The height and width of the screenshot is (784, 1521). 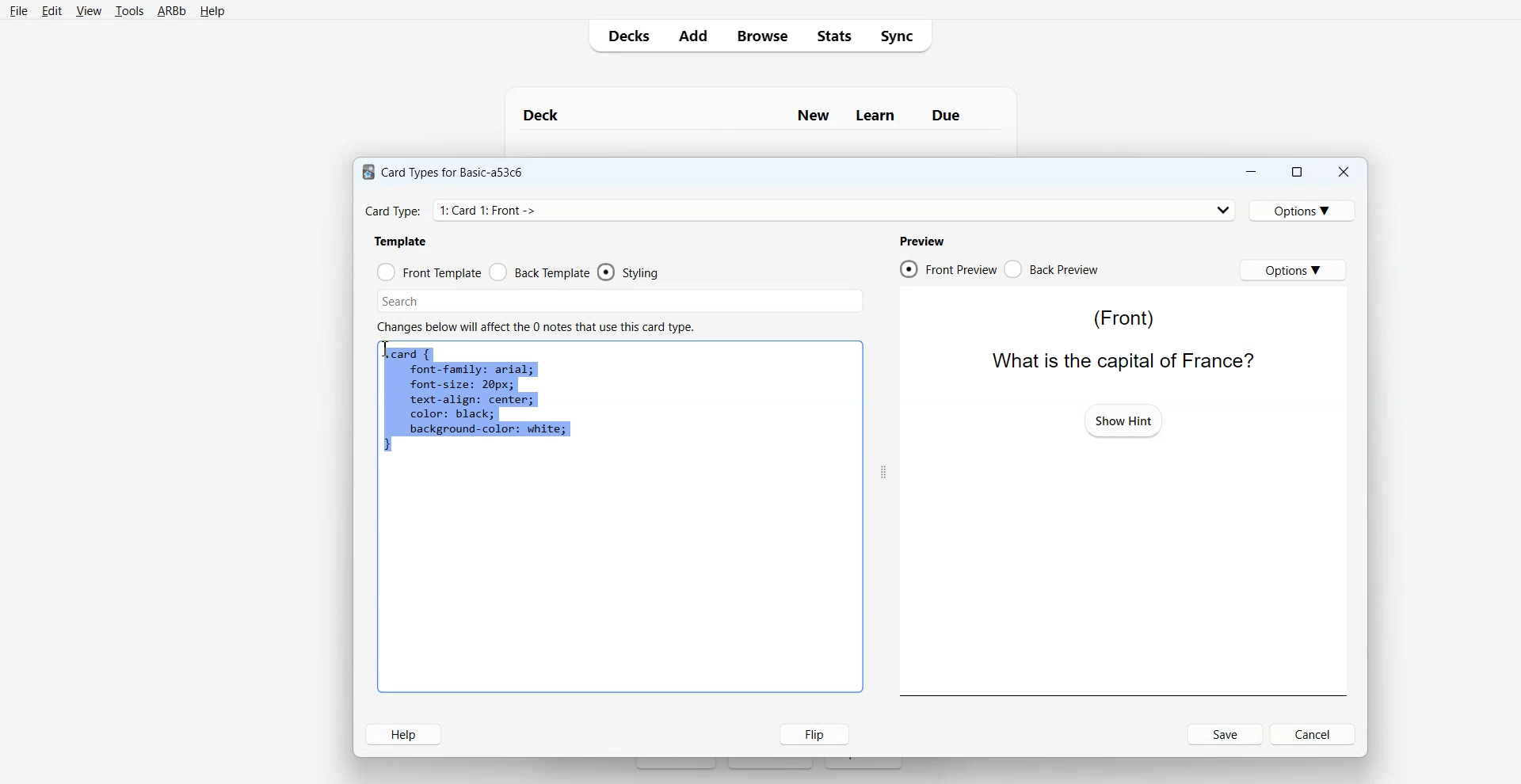 What do you see at coordinates (1305, 210) in the screenshot?
I see `Options` at bounding box center [1305, 210].